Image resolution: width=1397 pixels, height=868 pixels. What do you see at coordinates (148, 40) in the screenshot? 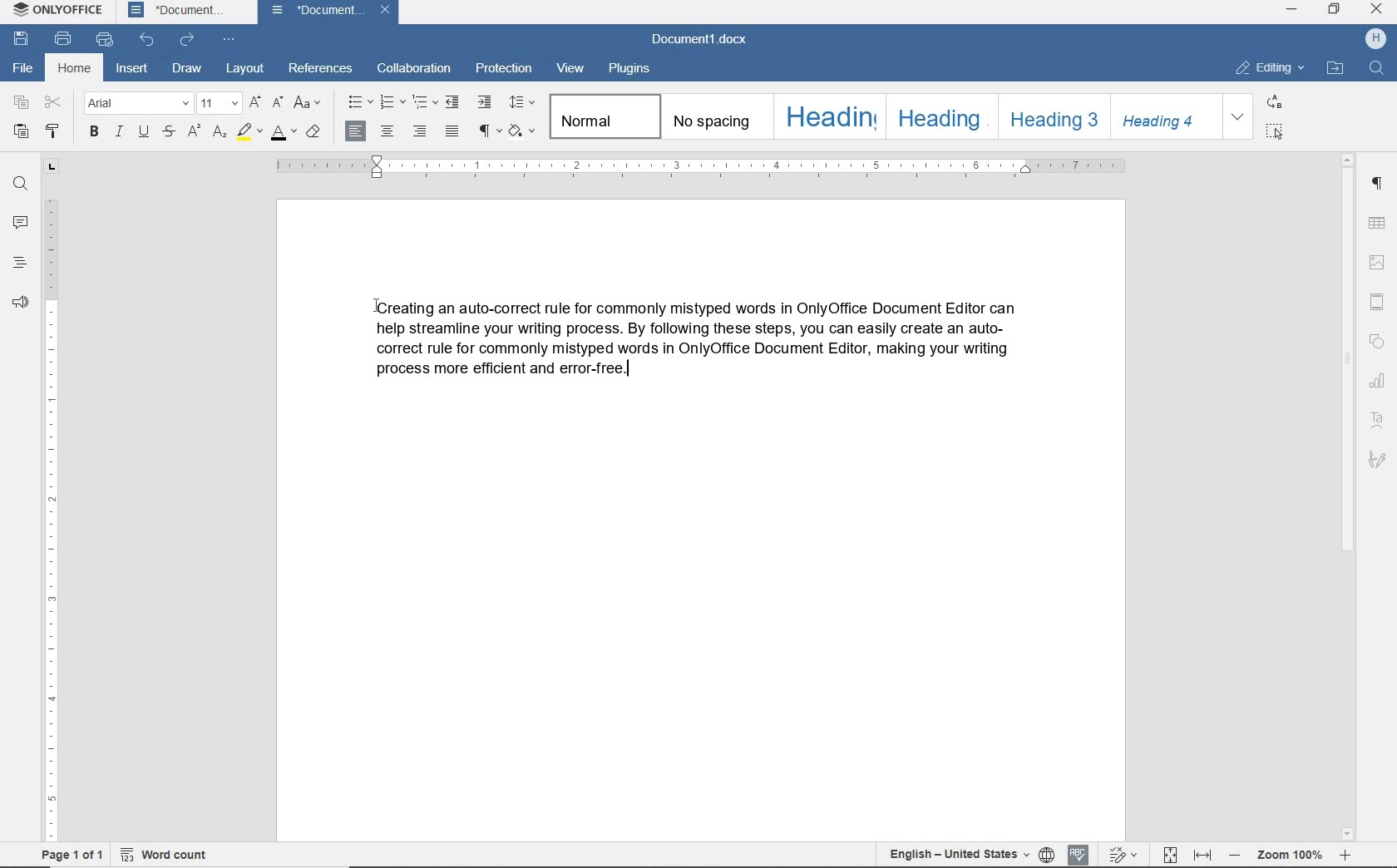
I see `undo` at bounding box center [148, 40].